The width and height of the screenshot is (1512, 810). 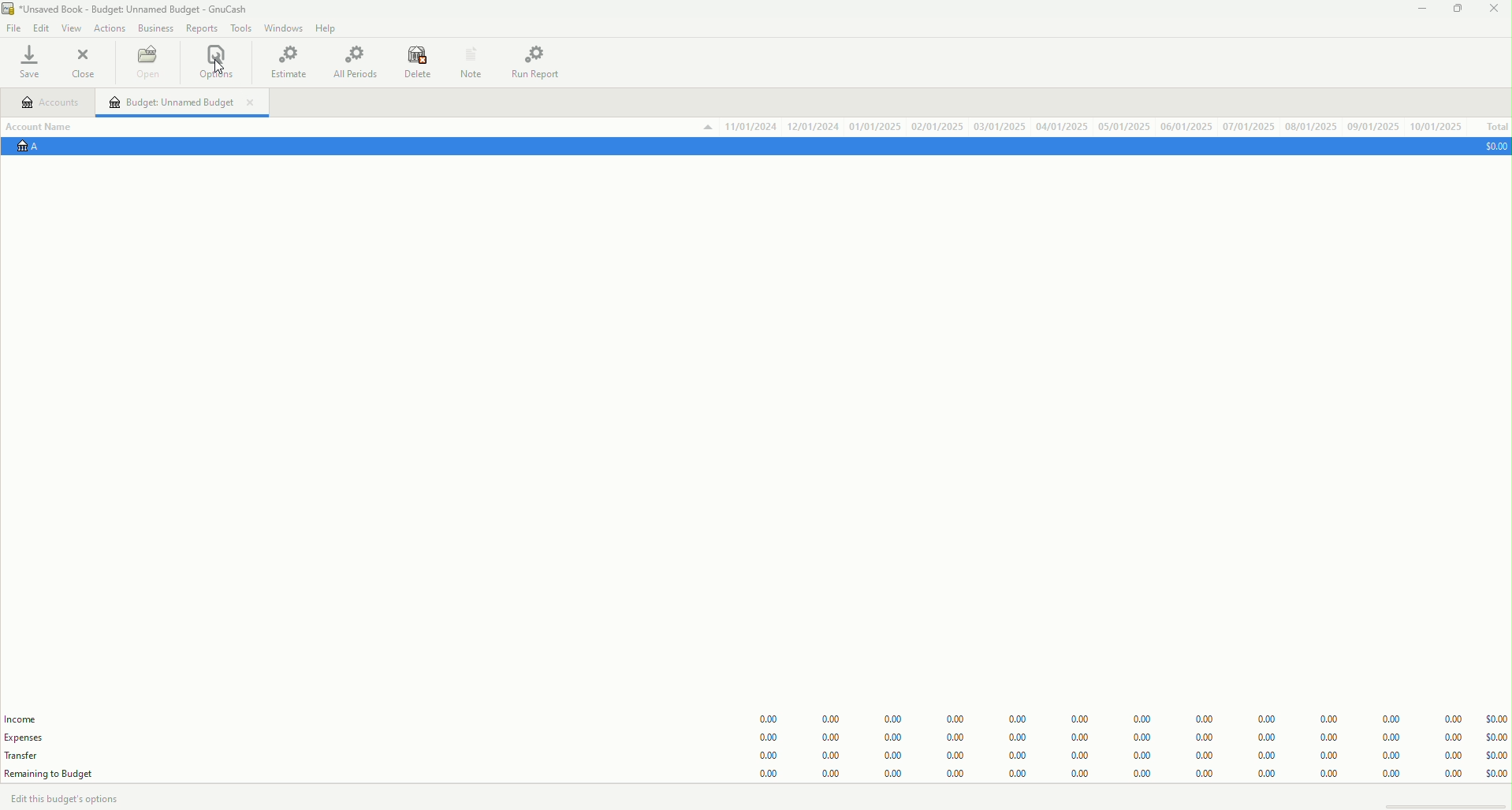 What do you see at coordinates (1495, 127) in the screenshot?
I see `Total` at bounding box center [1495, 127].